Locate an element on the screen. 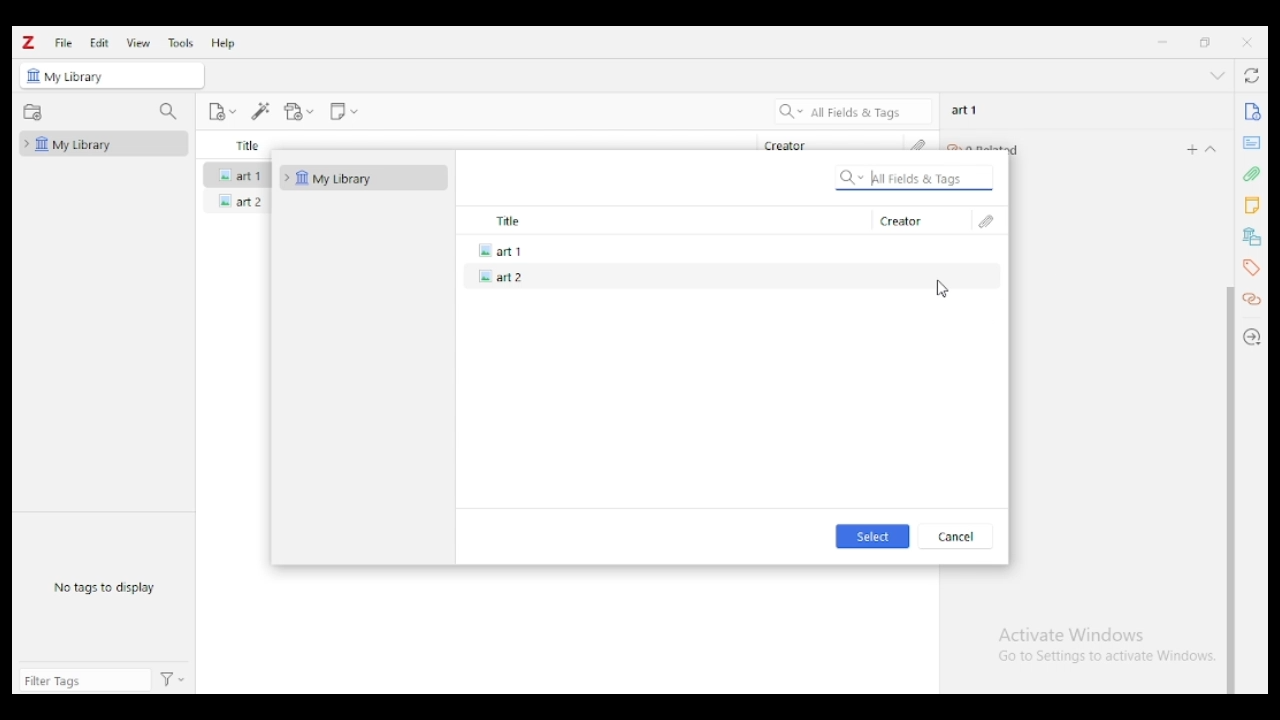 The height and width of the screenshot is (720, 1280). filter tags is located at coordinates (85, 680).